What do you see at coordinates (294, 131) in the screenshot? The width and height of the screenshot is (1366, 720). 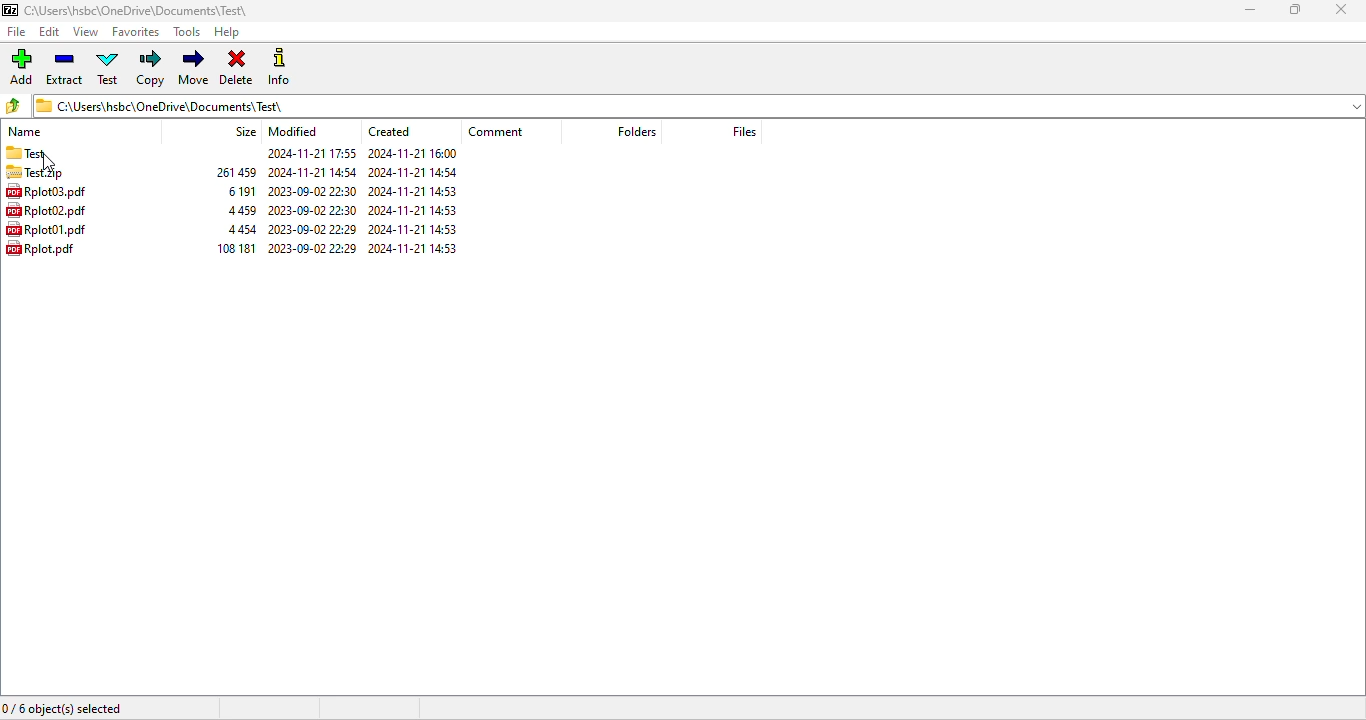 I see `modified` at bounding box center [294, 131].